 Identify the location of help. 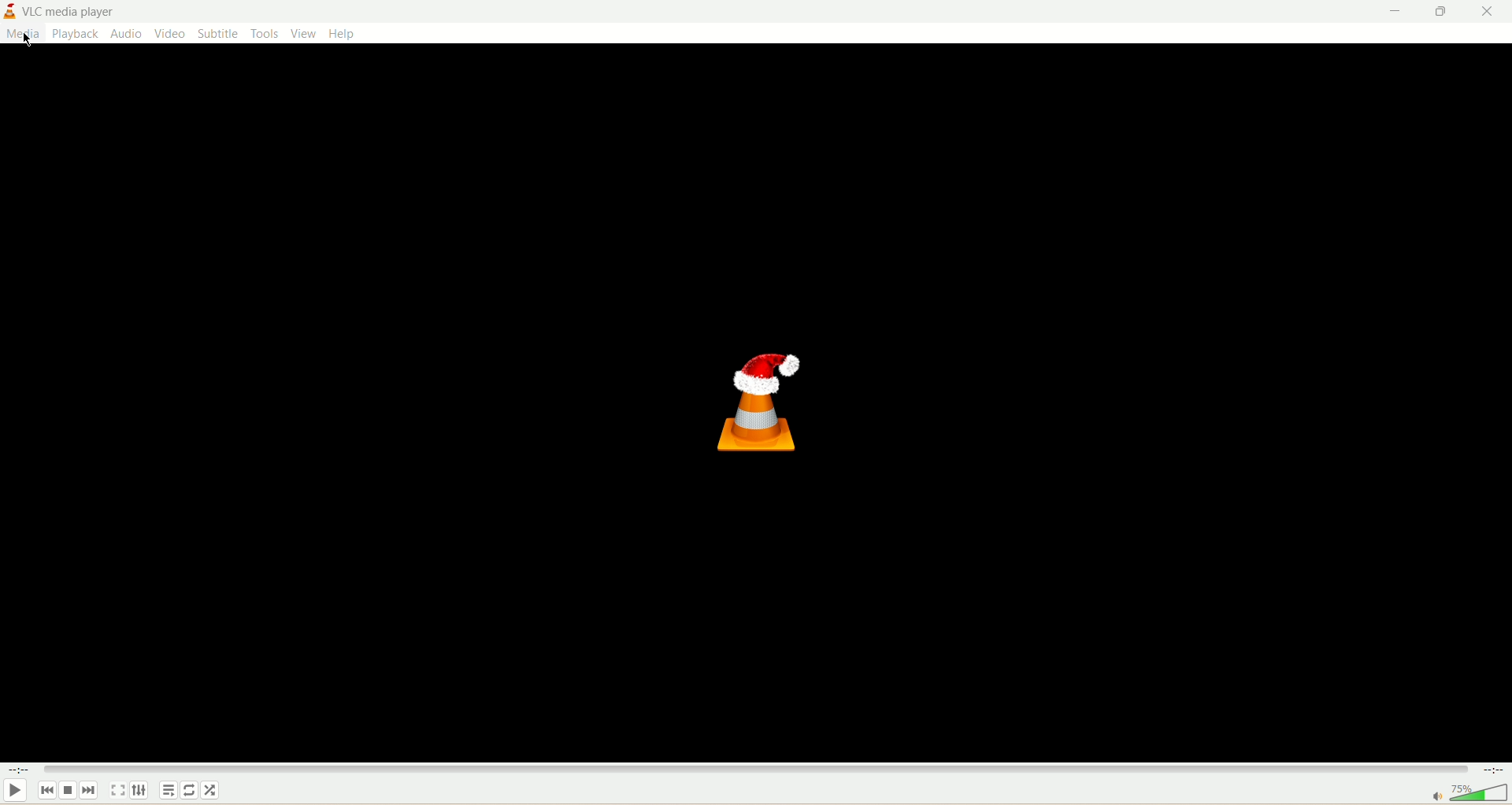
(345, 34).